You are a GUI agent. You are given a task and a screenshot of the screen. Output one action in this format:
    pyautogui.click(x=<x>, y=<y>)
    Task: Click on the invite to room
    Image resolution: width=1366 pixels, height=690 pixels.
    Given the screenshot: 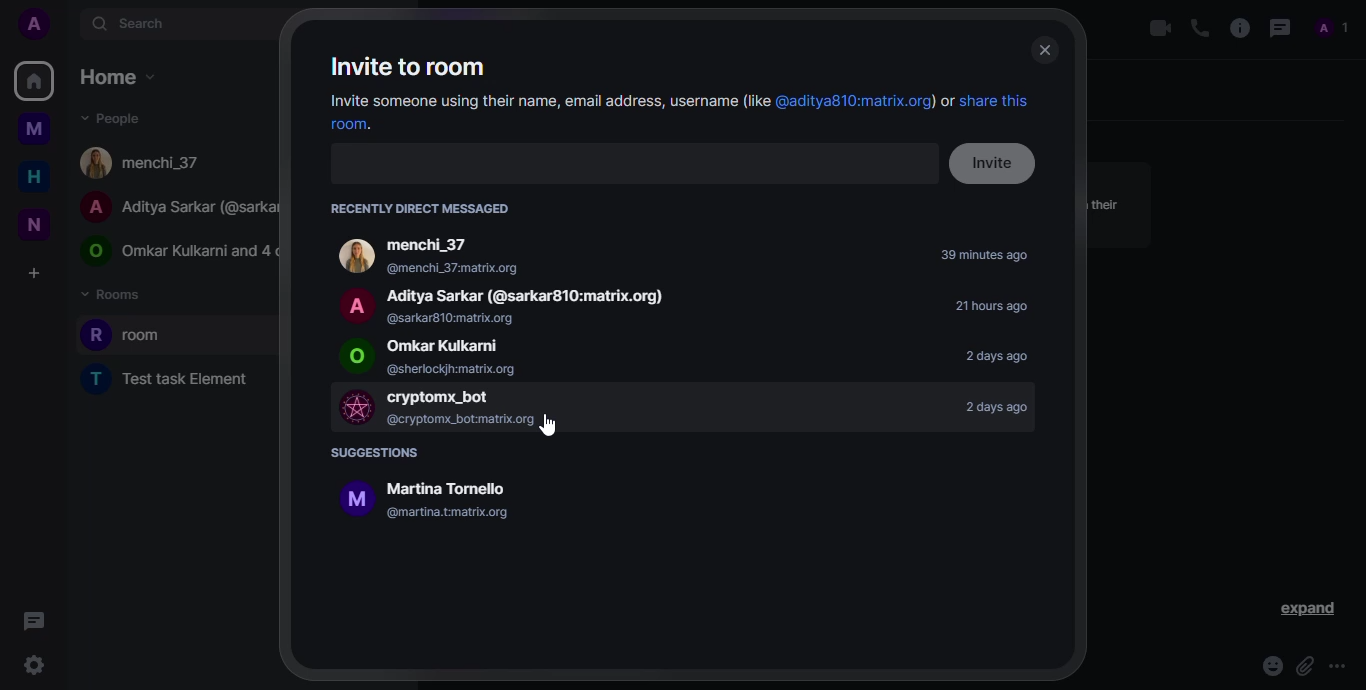 What is the action you would take?
    pyautogui.click(x=407, y=66)
    